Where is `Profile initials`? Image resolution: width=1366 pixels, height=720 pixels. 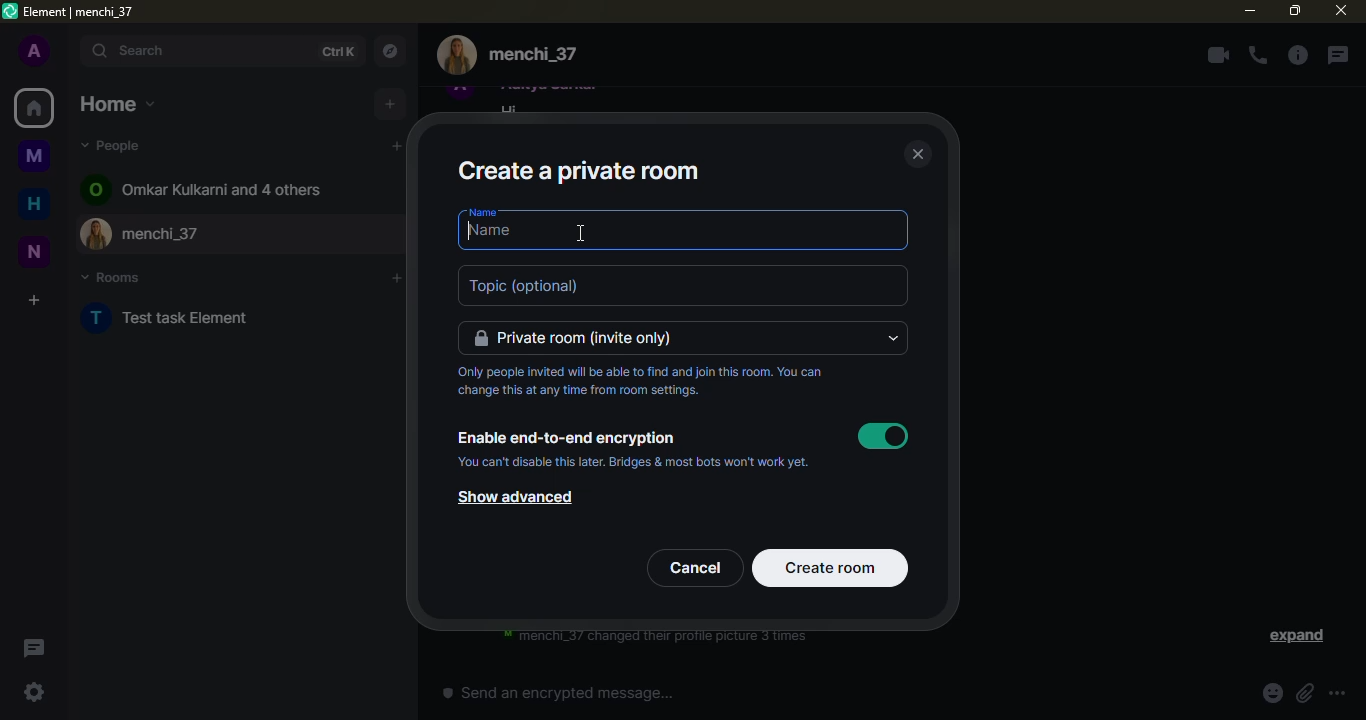 Profile initials is located at coordinates (95, 189).